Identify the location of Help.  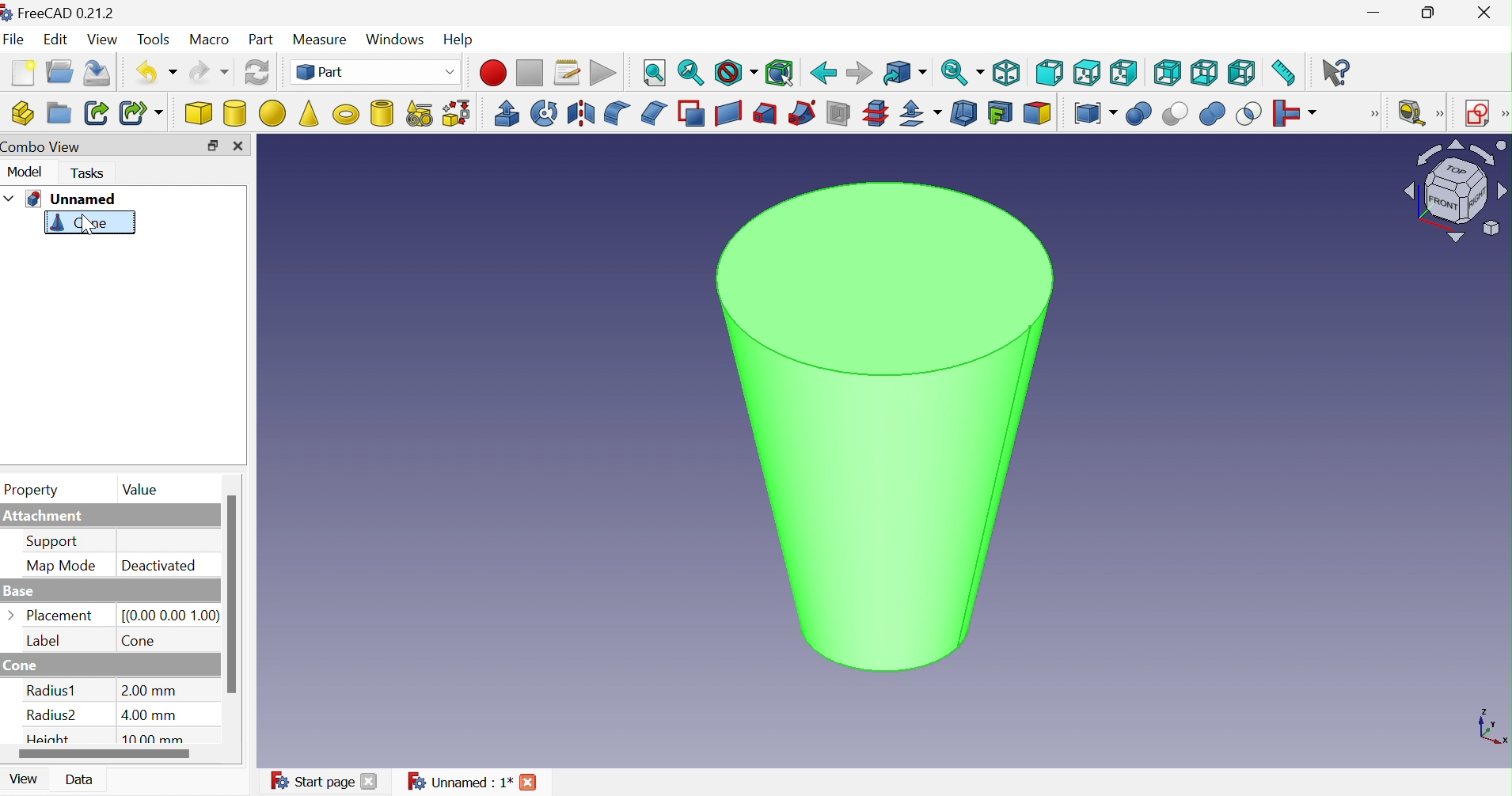
(458, 37).